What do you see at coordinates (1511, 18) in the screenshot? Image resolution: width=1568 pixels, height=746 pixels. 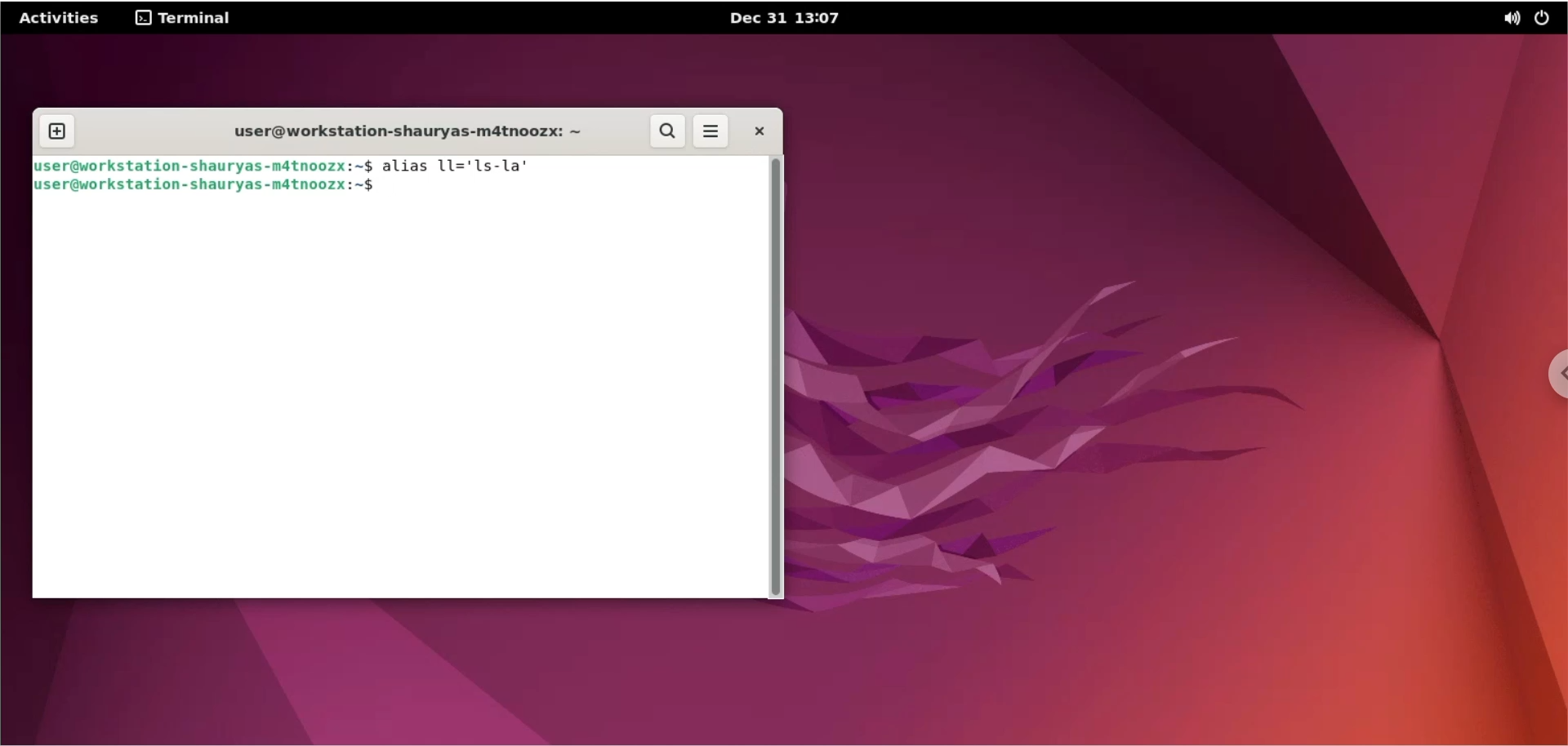 I see `sound options` at bounding box center [1511, 18].